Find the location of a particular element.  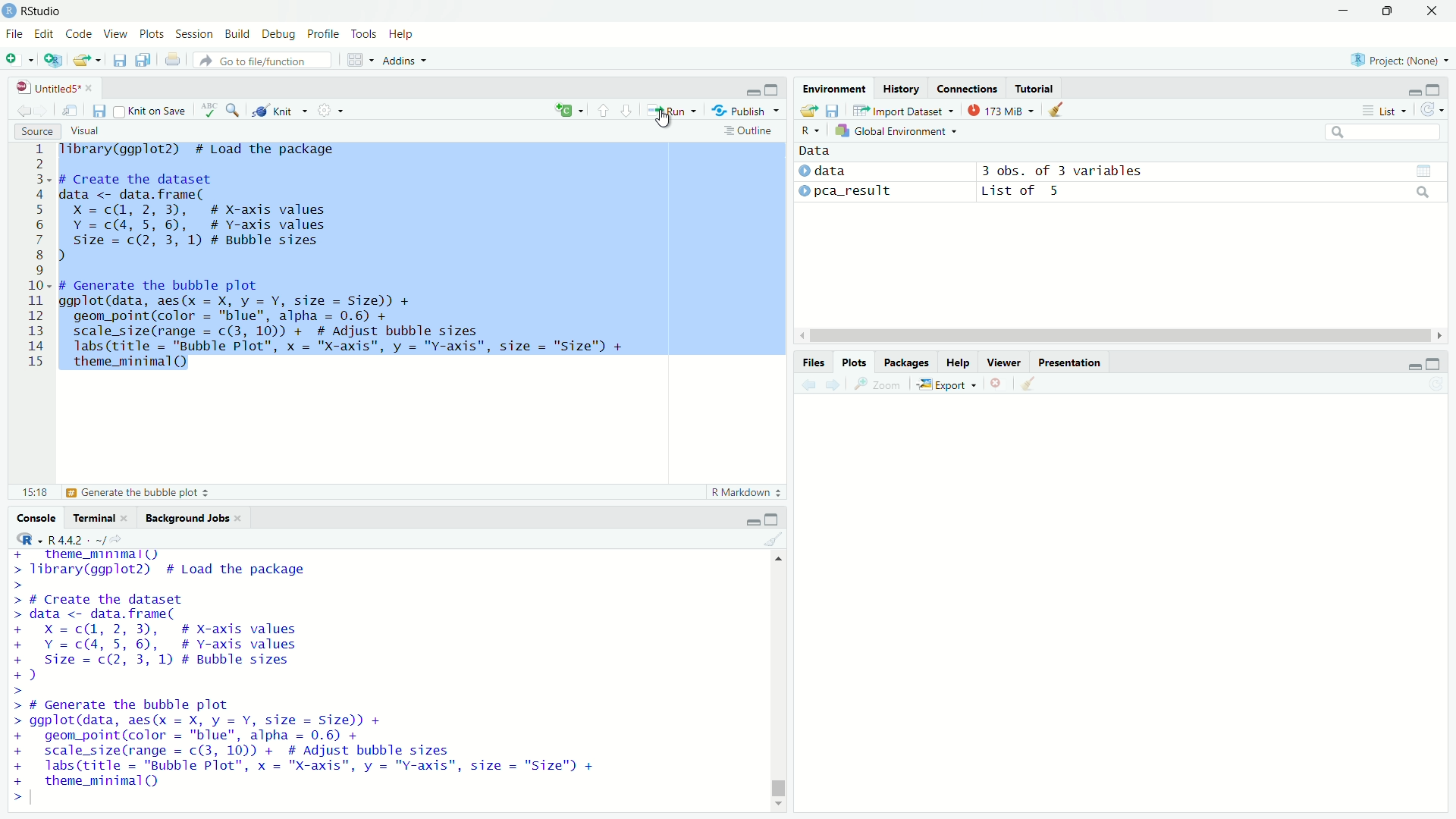

clear console is located at coordinates (775, 538).